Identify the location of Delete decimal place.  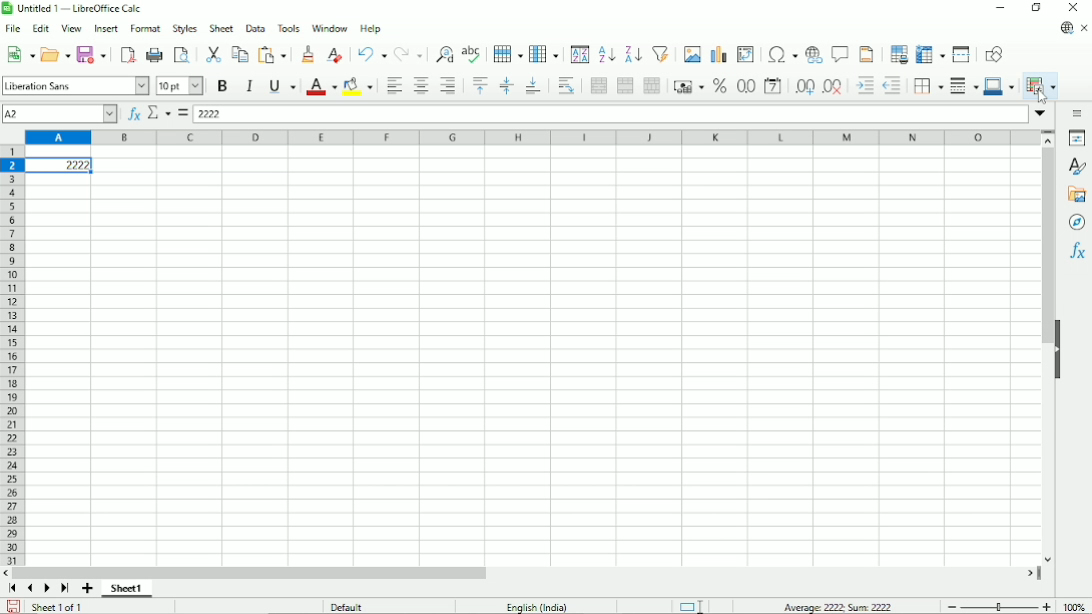
(834, 87).